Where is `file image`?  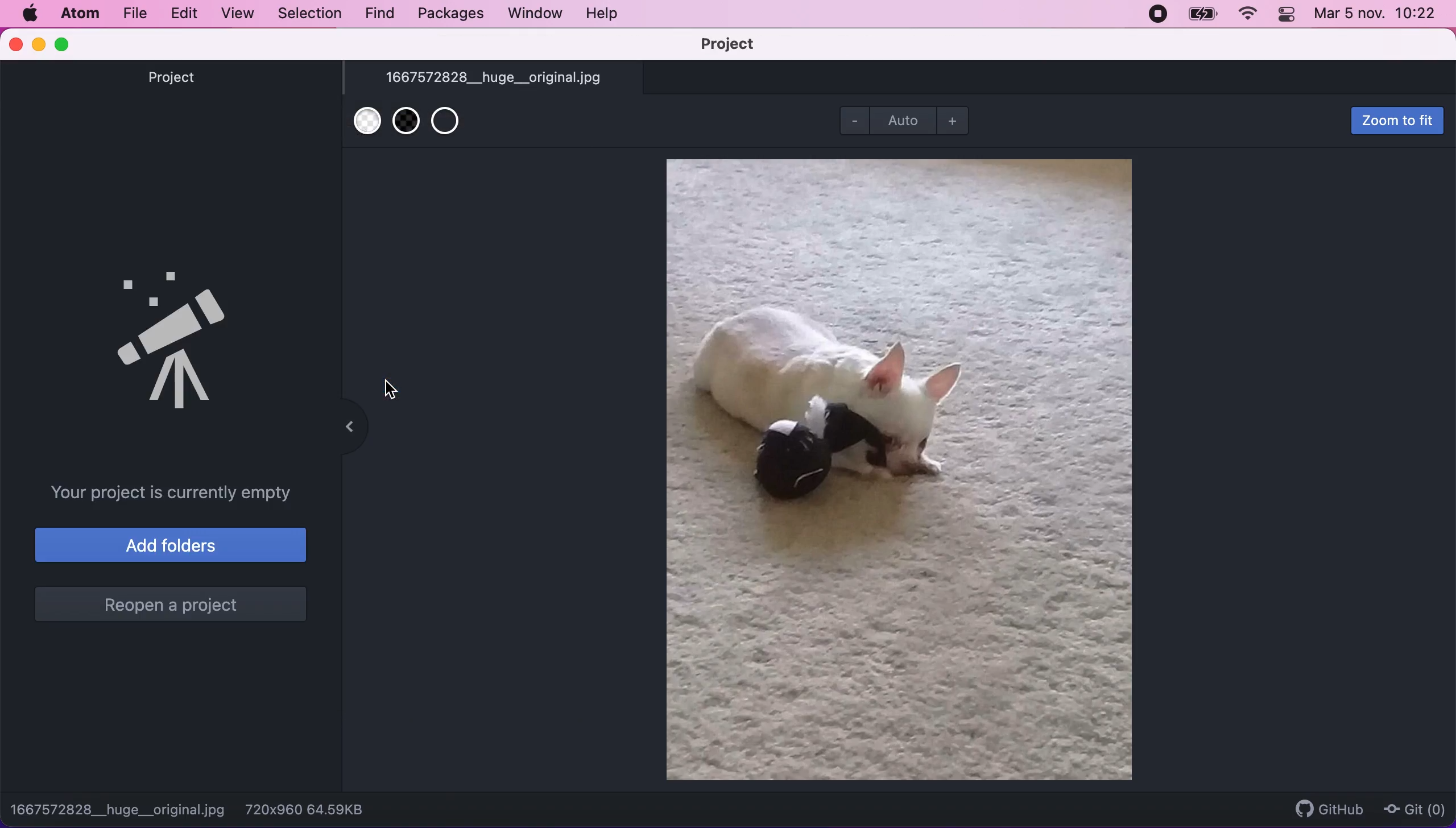 file image is located at coordinates (904, 470).